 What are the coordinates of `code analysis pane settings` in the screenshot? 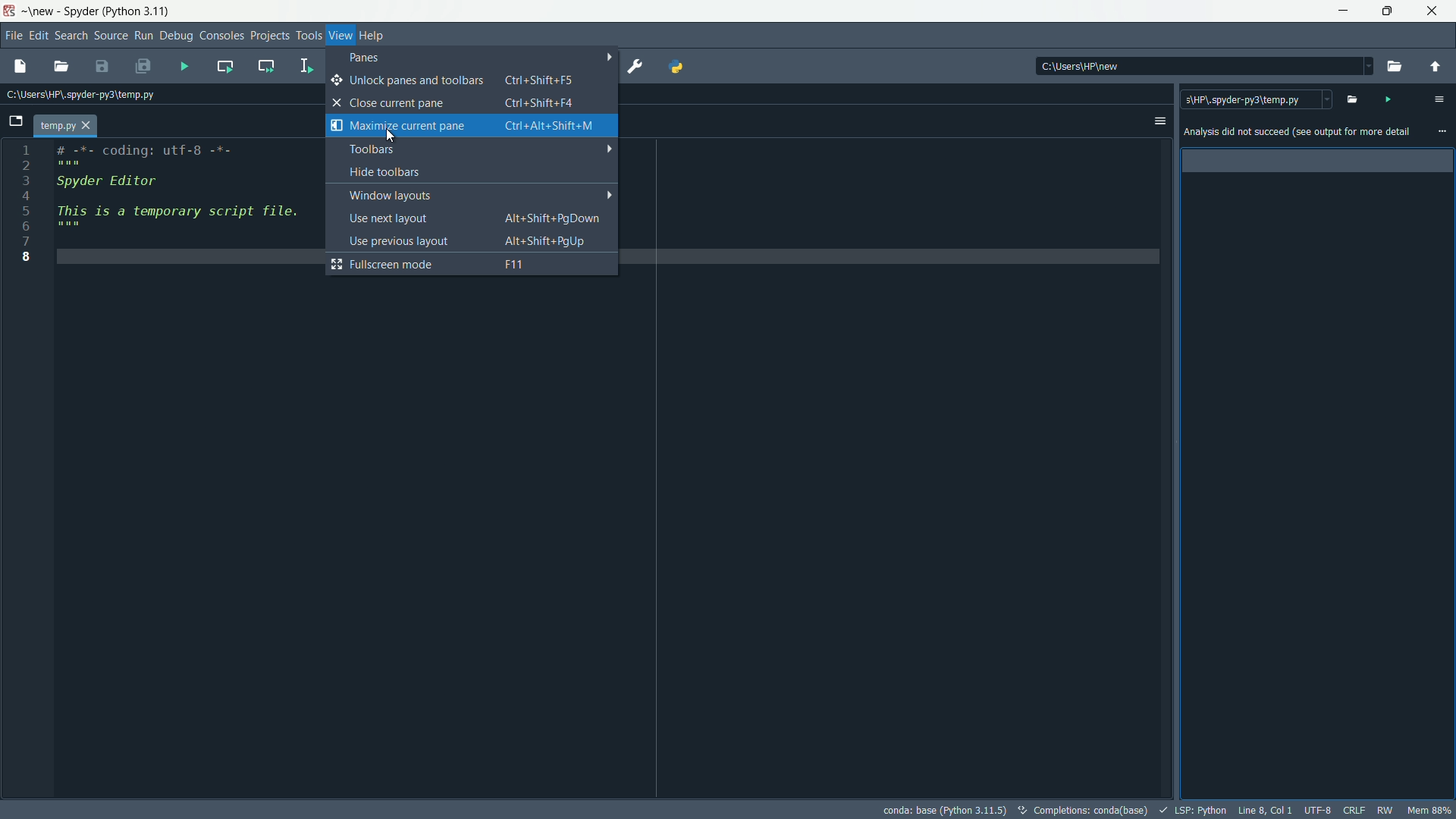 It's located at (1439, 99).